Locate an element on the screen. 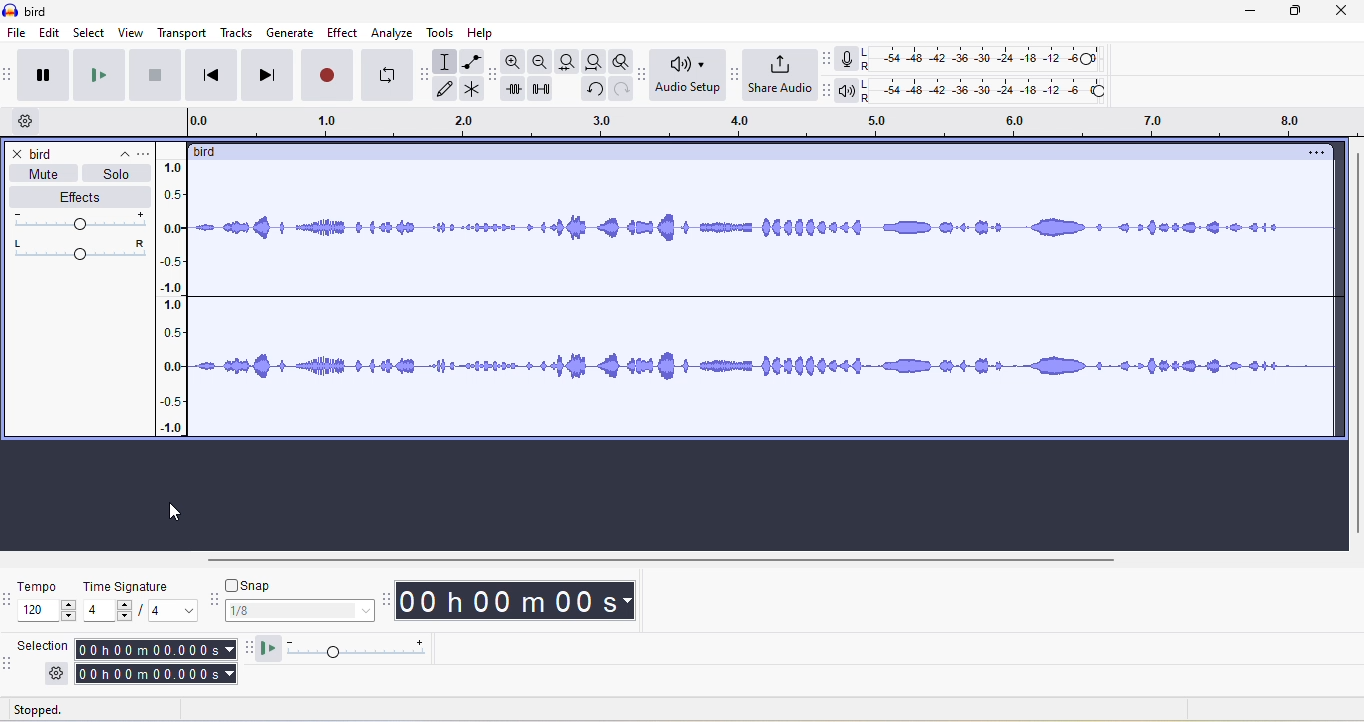 This screenshot has width=1364, height=722. effects is located at coordinates (79, 198).